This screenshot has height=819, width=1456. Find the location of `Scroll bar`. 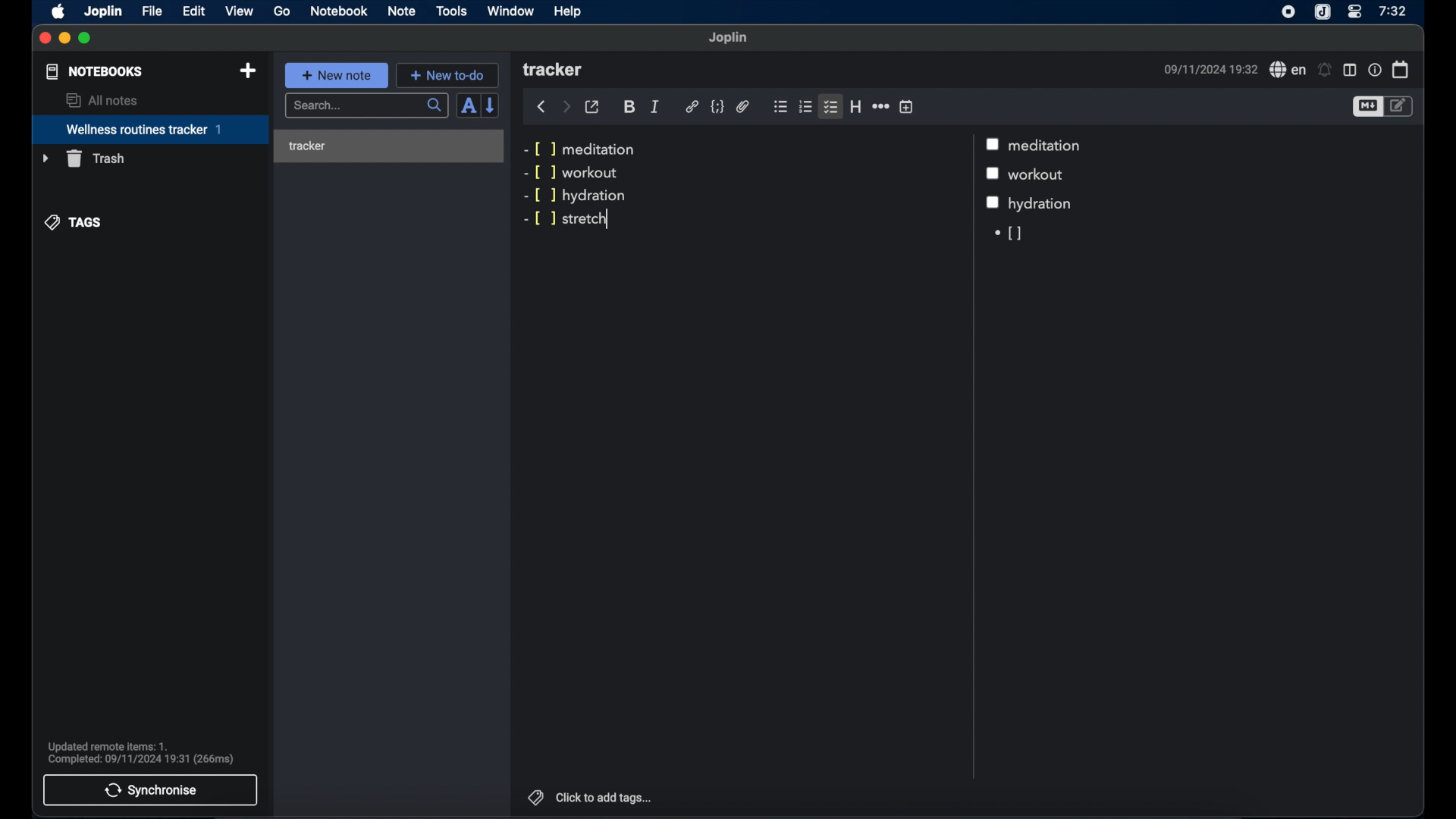

Scroll bar is located at coordinates (971, 457).